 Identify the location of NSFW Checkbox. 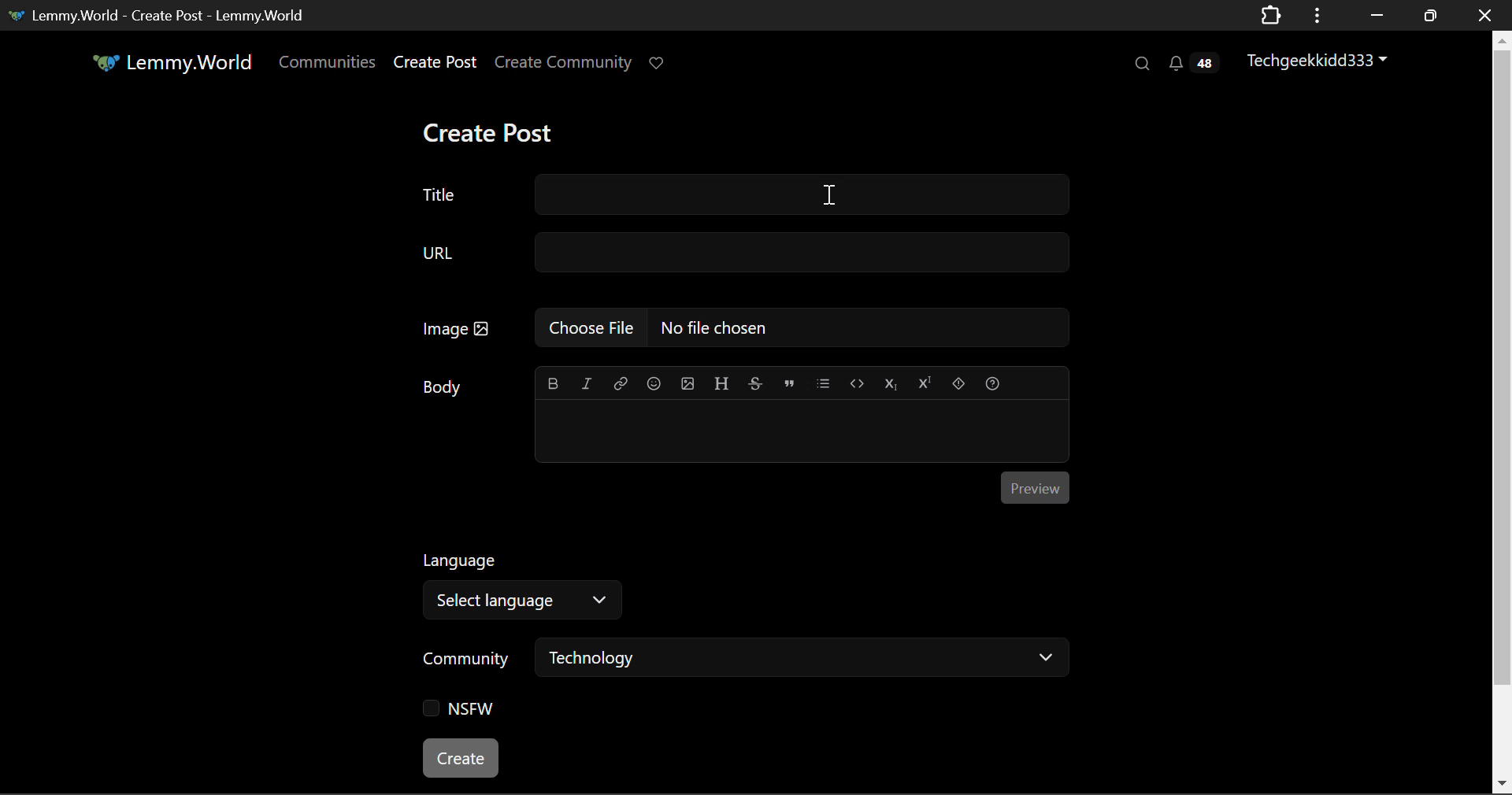
(465, 712).